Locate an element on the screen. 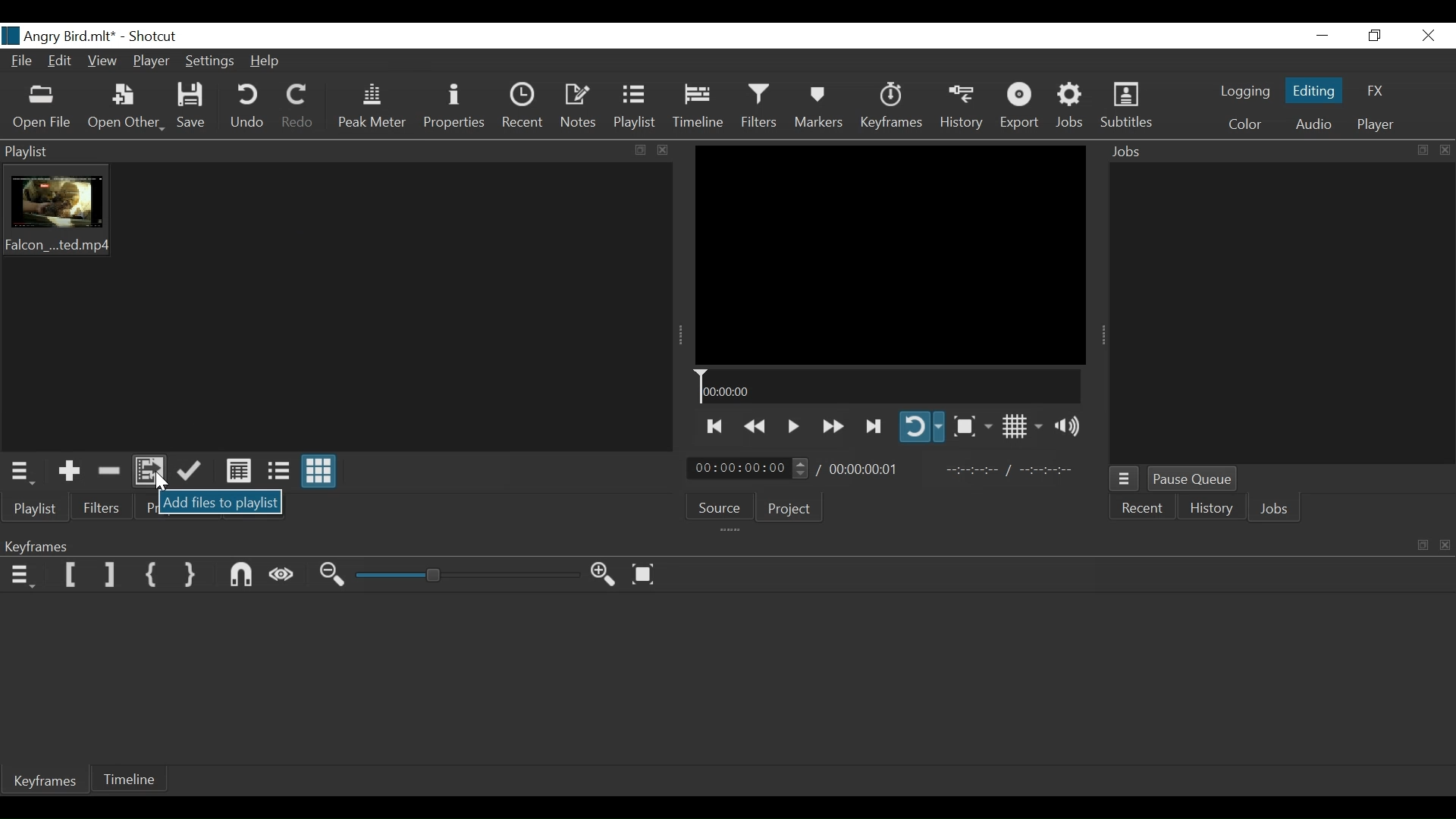 The height and width of the screenshot is (819, 1456). Jobs is located at coordinates (1070, 105).